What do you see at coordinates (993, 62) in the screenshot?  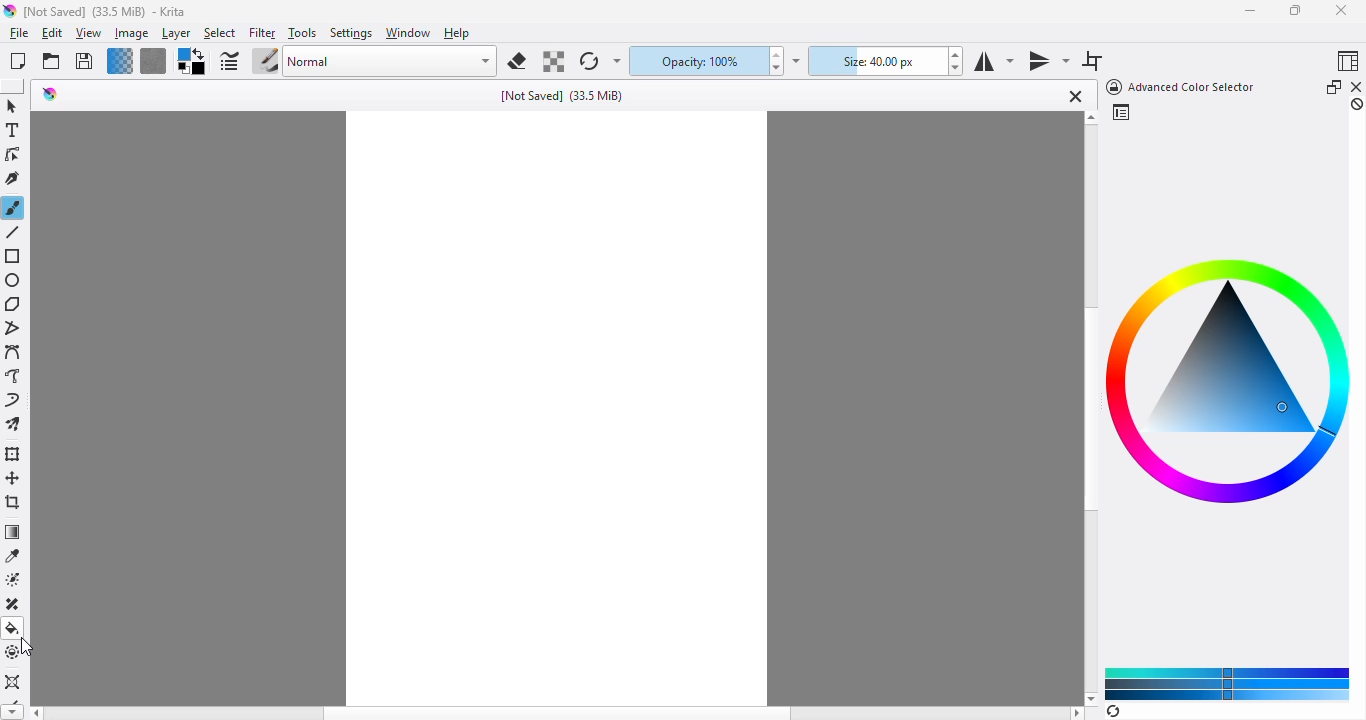 I see `horizontal mirror tool` at bounding box center [993, 62].